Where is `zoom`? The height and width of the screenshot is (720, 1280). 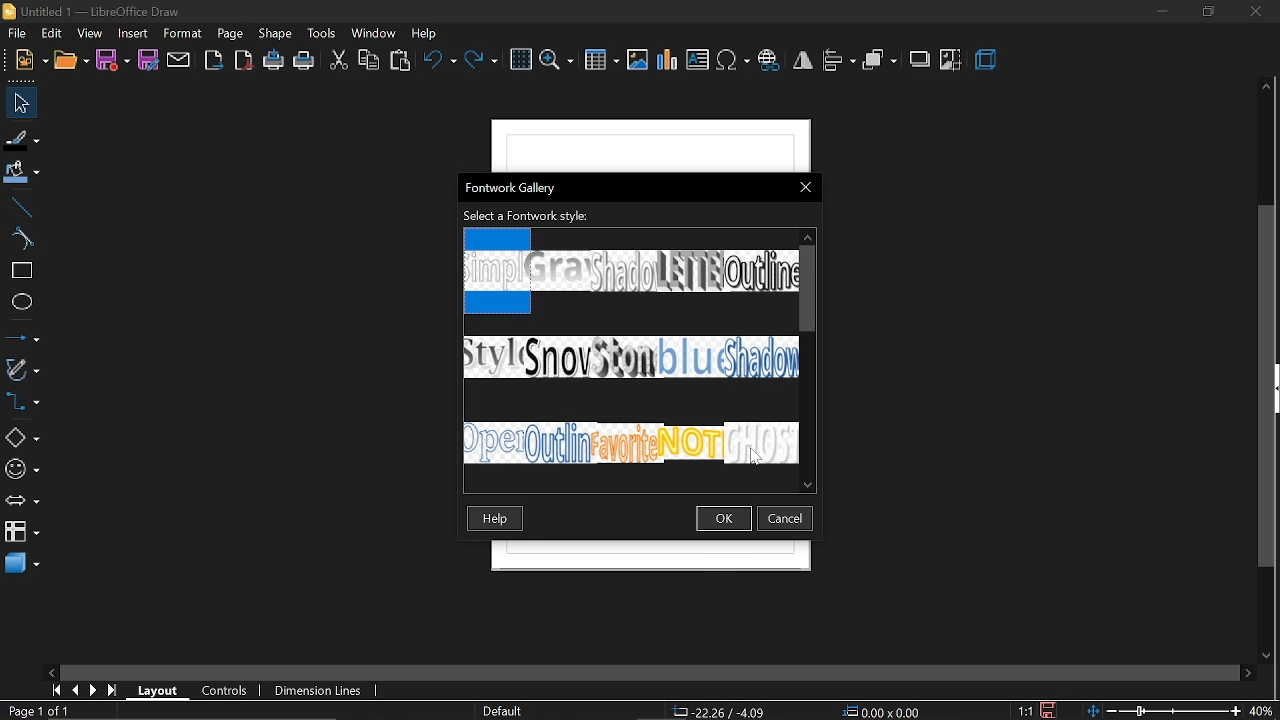 zoom is located at coordinates (557, 61).